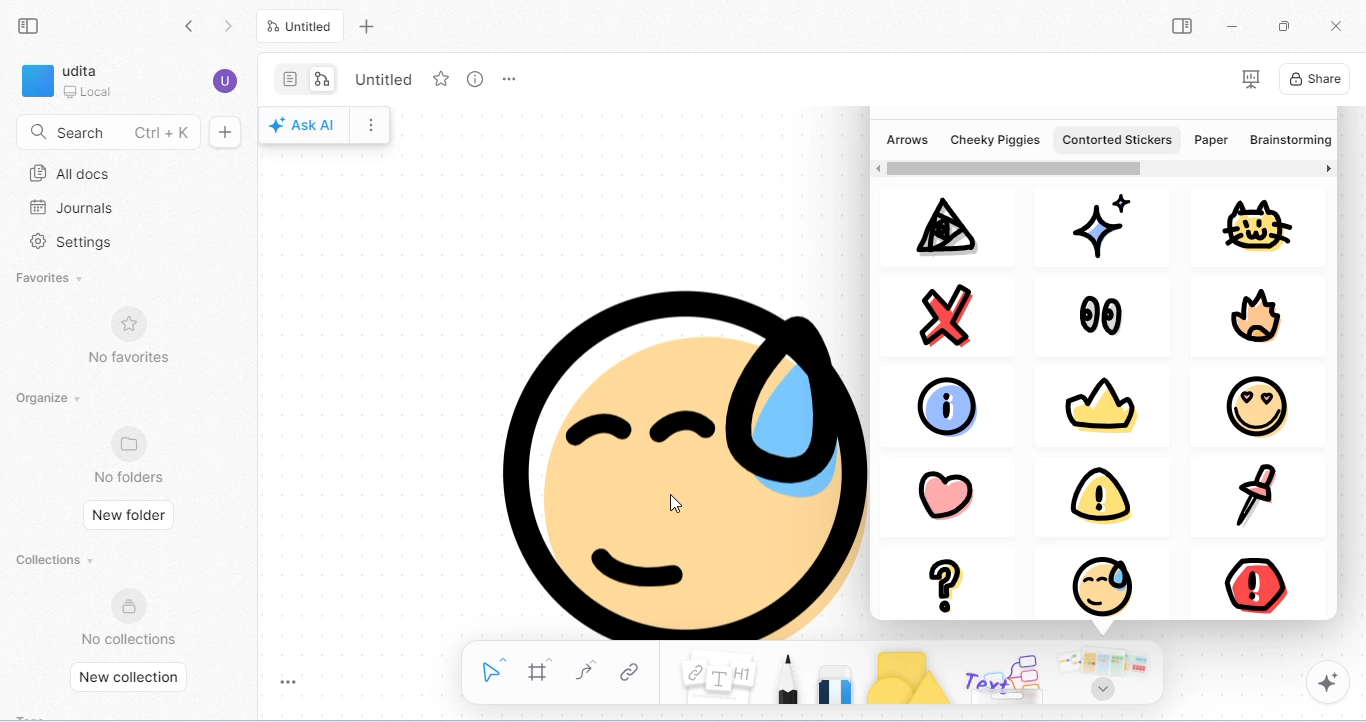 This screenshot has height=722, width=1366. Describe the element at coordinates (662, 461) in the screenshot. I see `emoji is moved` at that location.